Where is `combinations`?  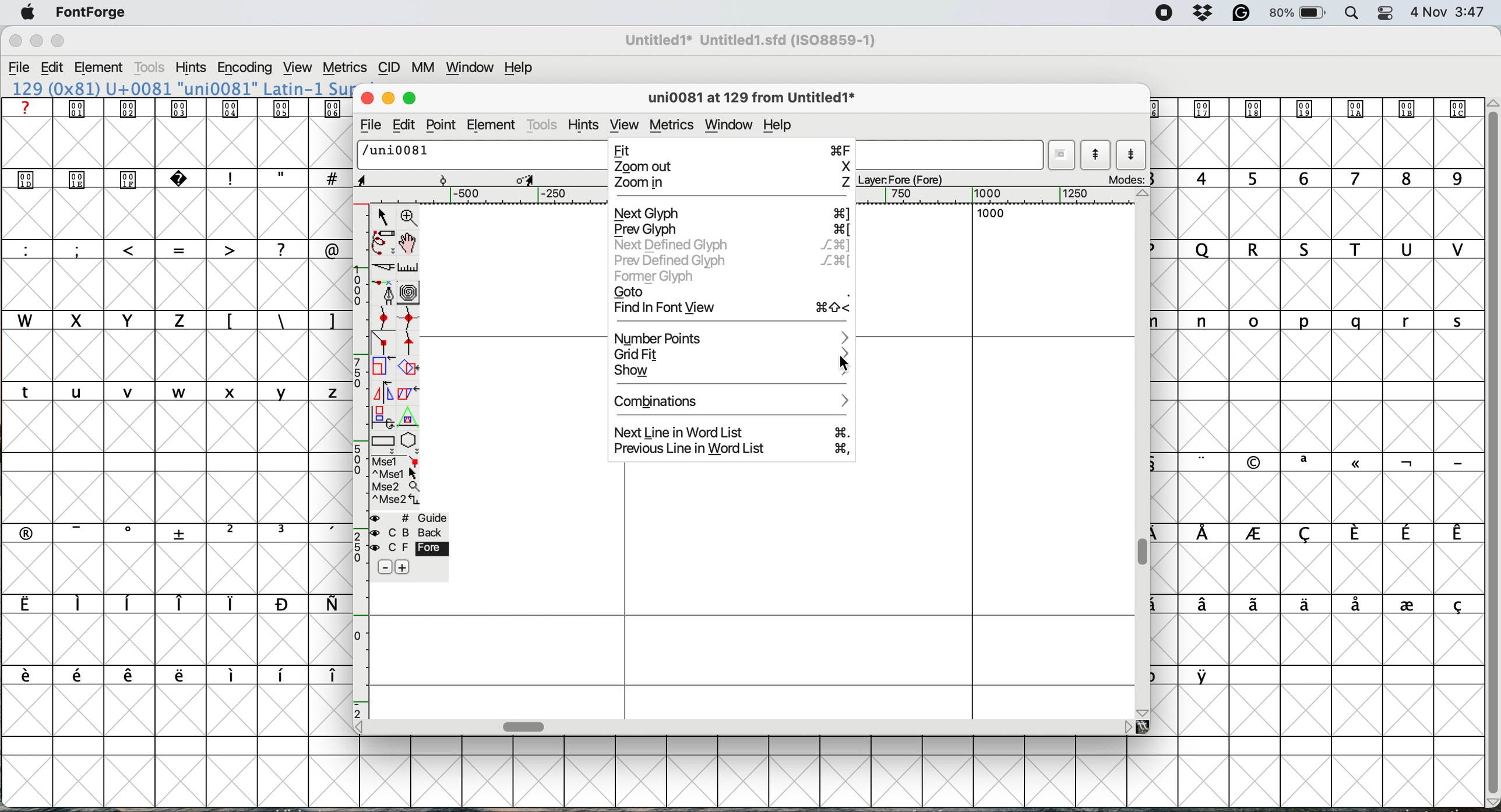
combinations is located at coordinates (735, 400).